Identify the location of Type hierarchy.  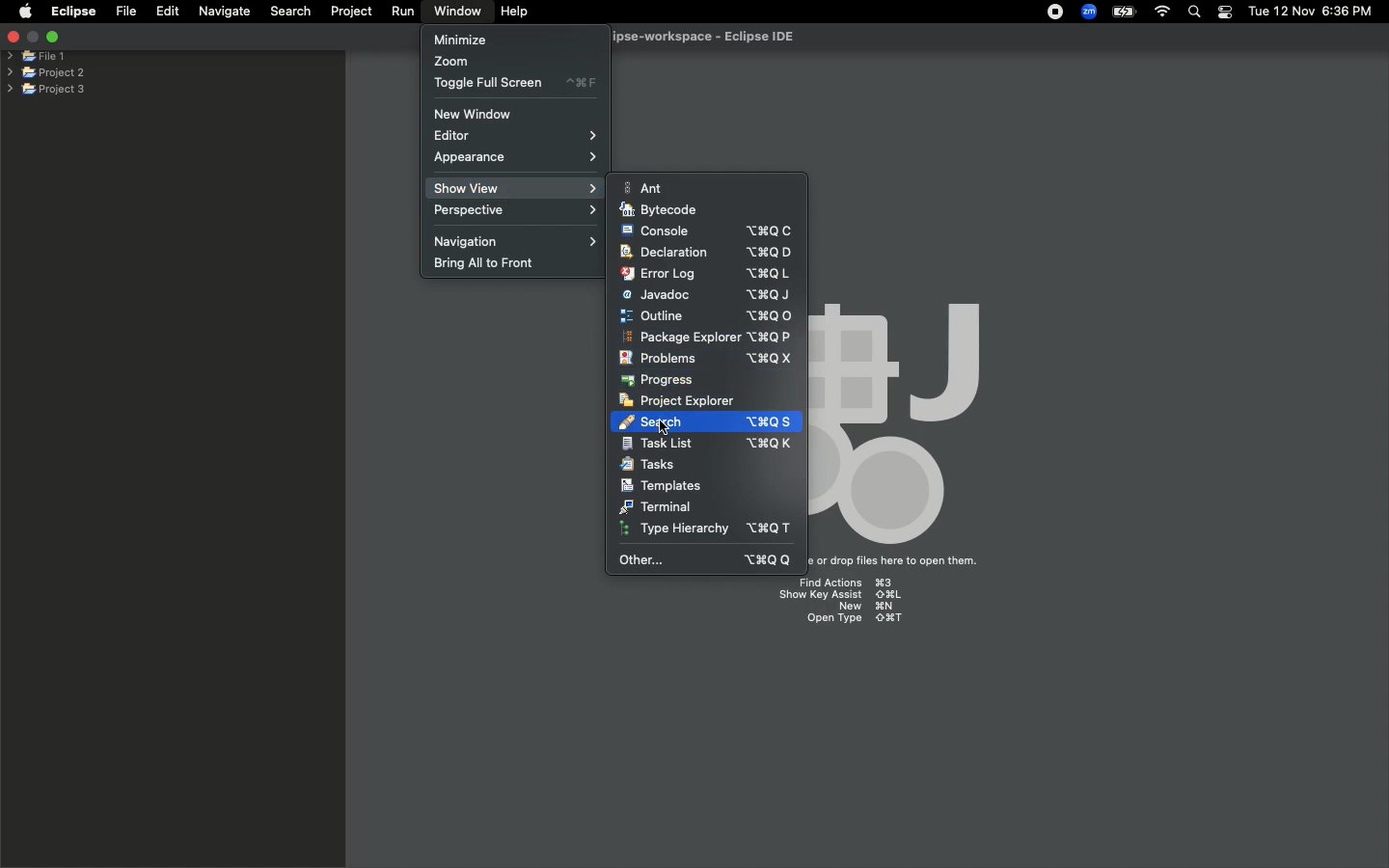
(711, 530).